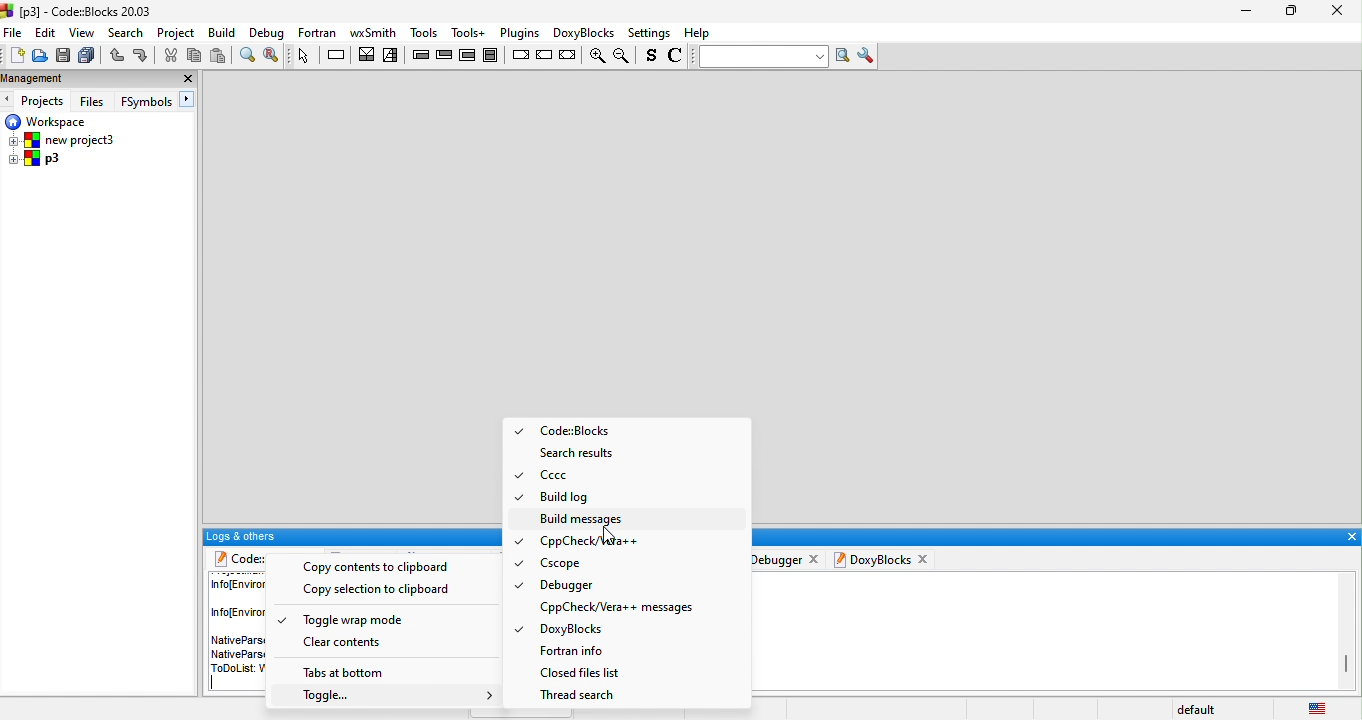 Image resolution: width=1362 pixels, height=720 pixels. What do you see at coordinates (761, 56) in the screenshot?
I see `text to search` at bounding box center [761, 56].